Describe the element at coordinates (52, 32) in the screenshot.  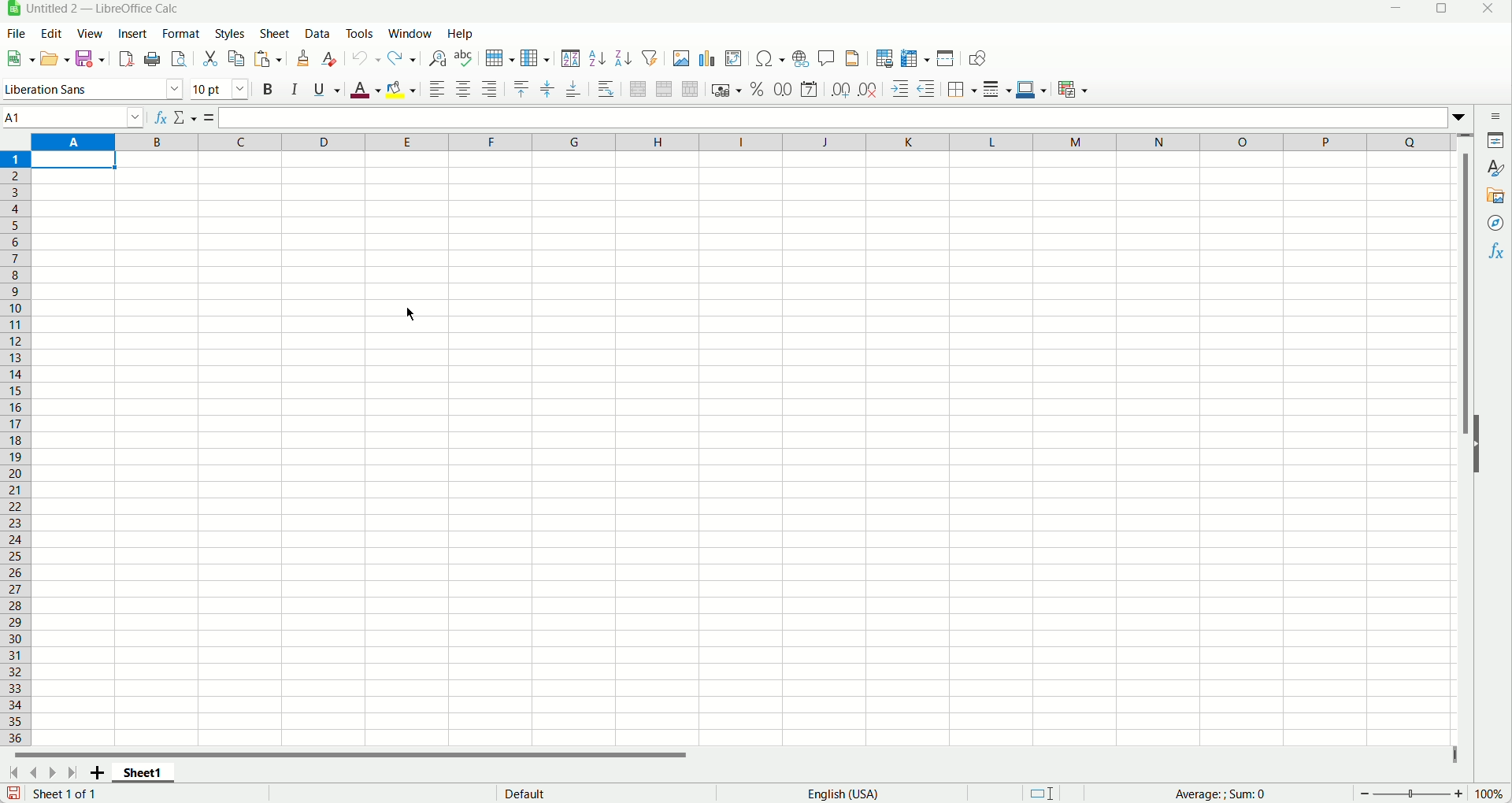
I see `Edit` at that location.